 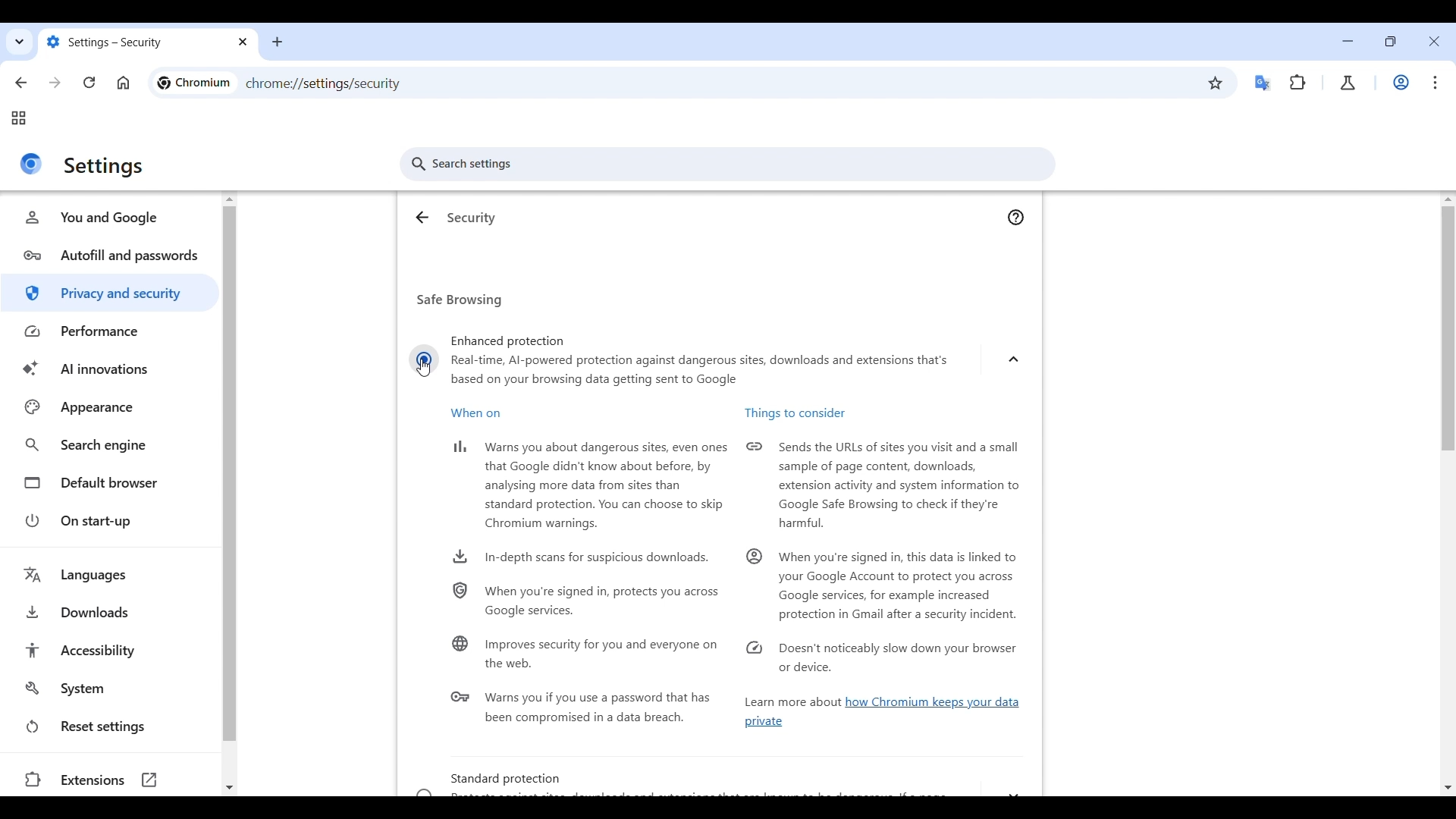 What do you see at coordinates (230, 474) in the screenshot?
I see `Vertical slide bar` at bounding box center [230, 474].